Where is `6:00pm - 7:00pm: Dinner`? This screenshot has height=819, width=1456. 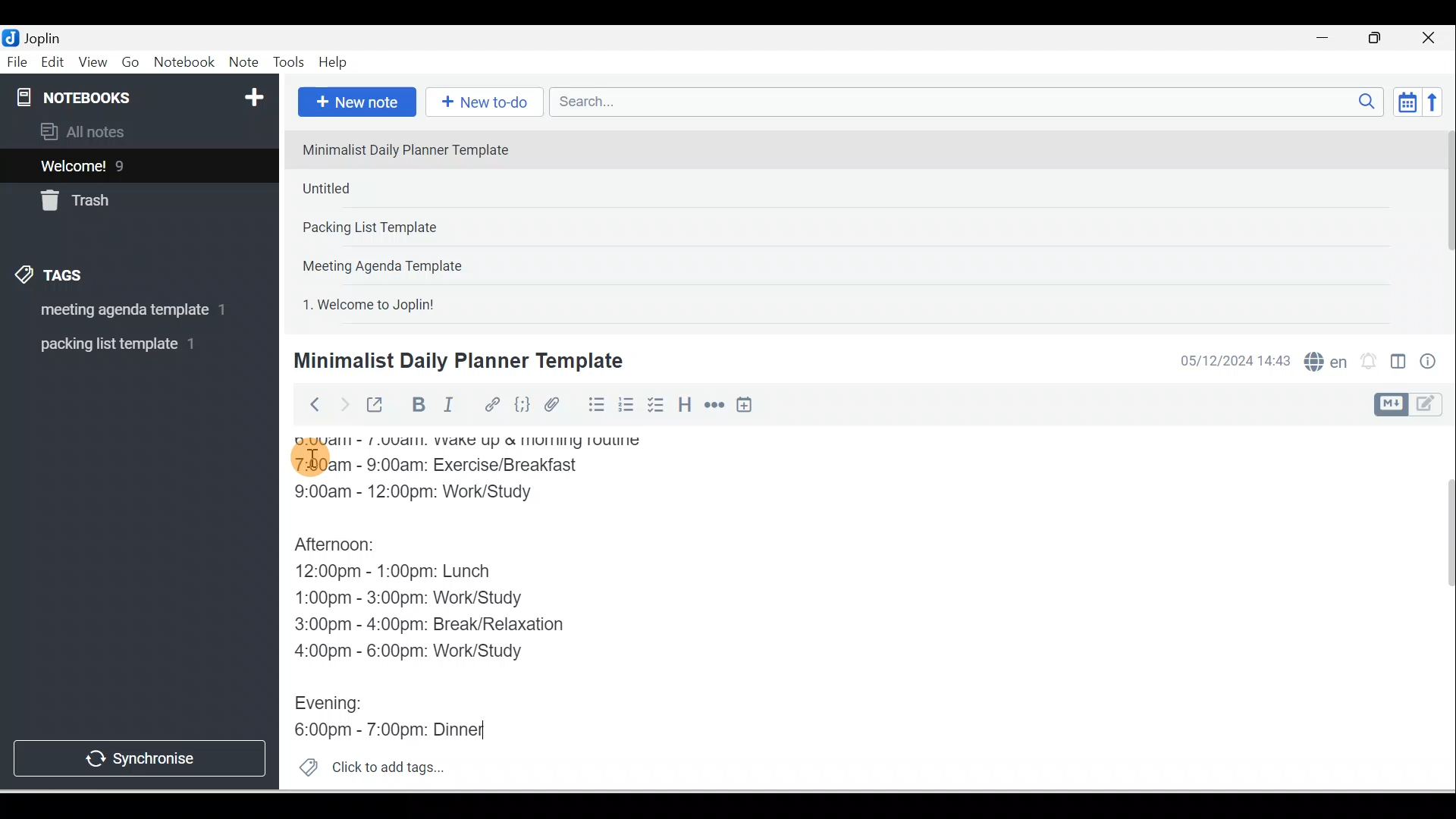
6:00pm - 7:00pm: Dinner is located at coordinates (399, 726).